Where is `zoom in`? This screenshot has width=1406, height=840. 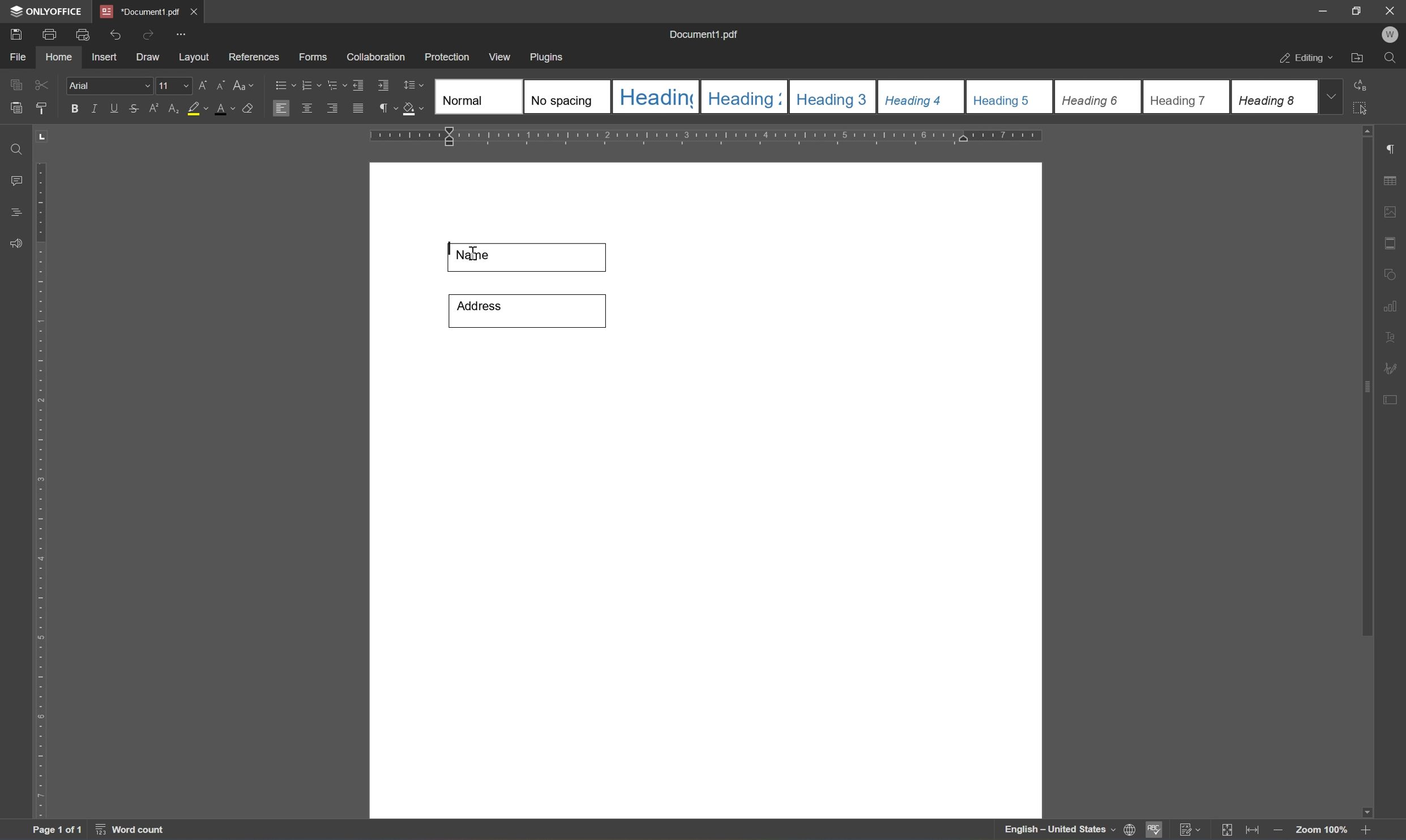 zoom in is located at coordinates (1276, 830).